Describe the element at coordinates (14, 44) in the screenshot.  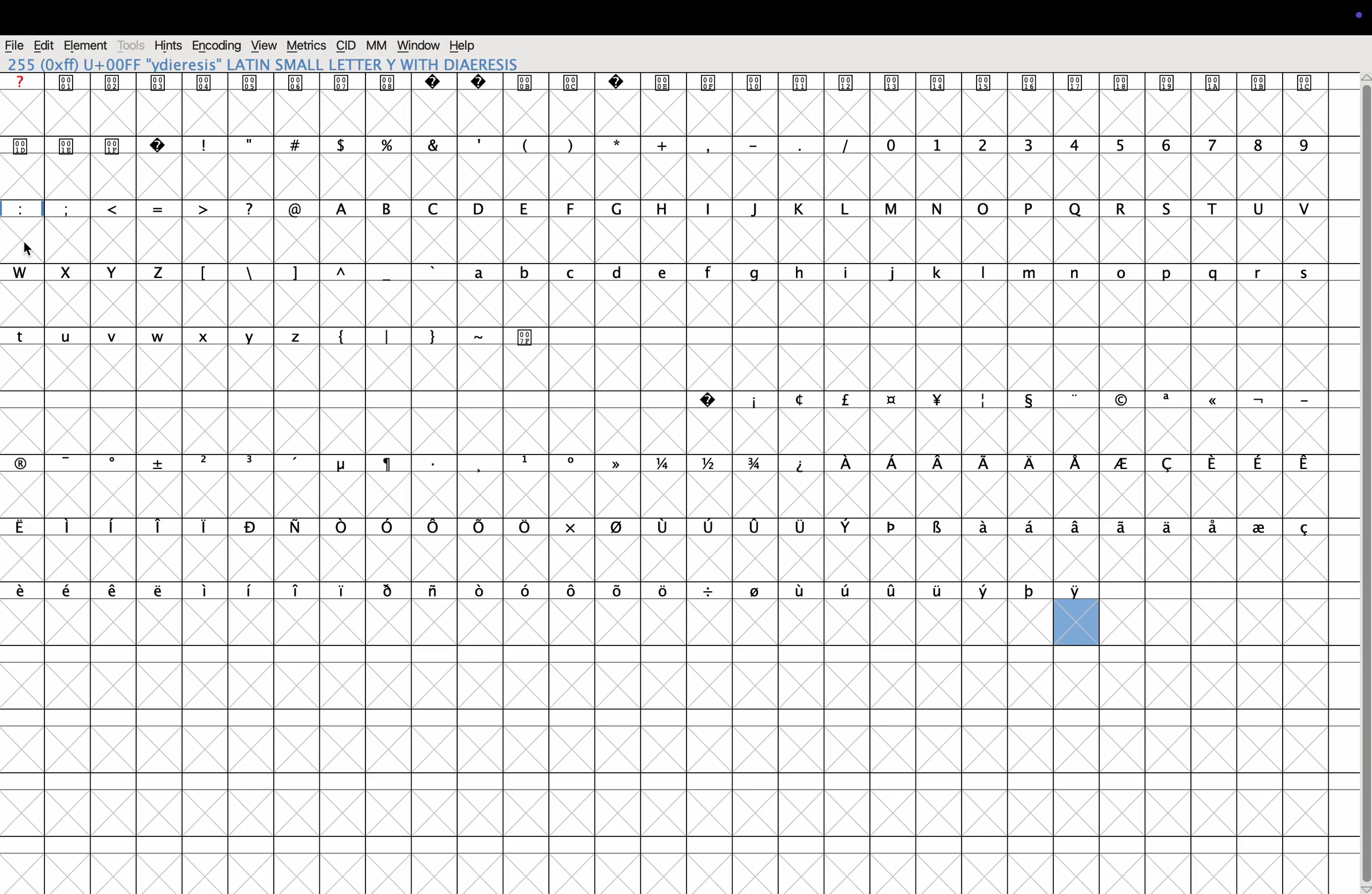
I see `file` at that location.